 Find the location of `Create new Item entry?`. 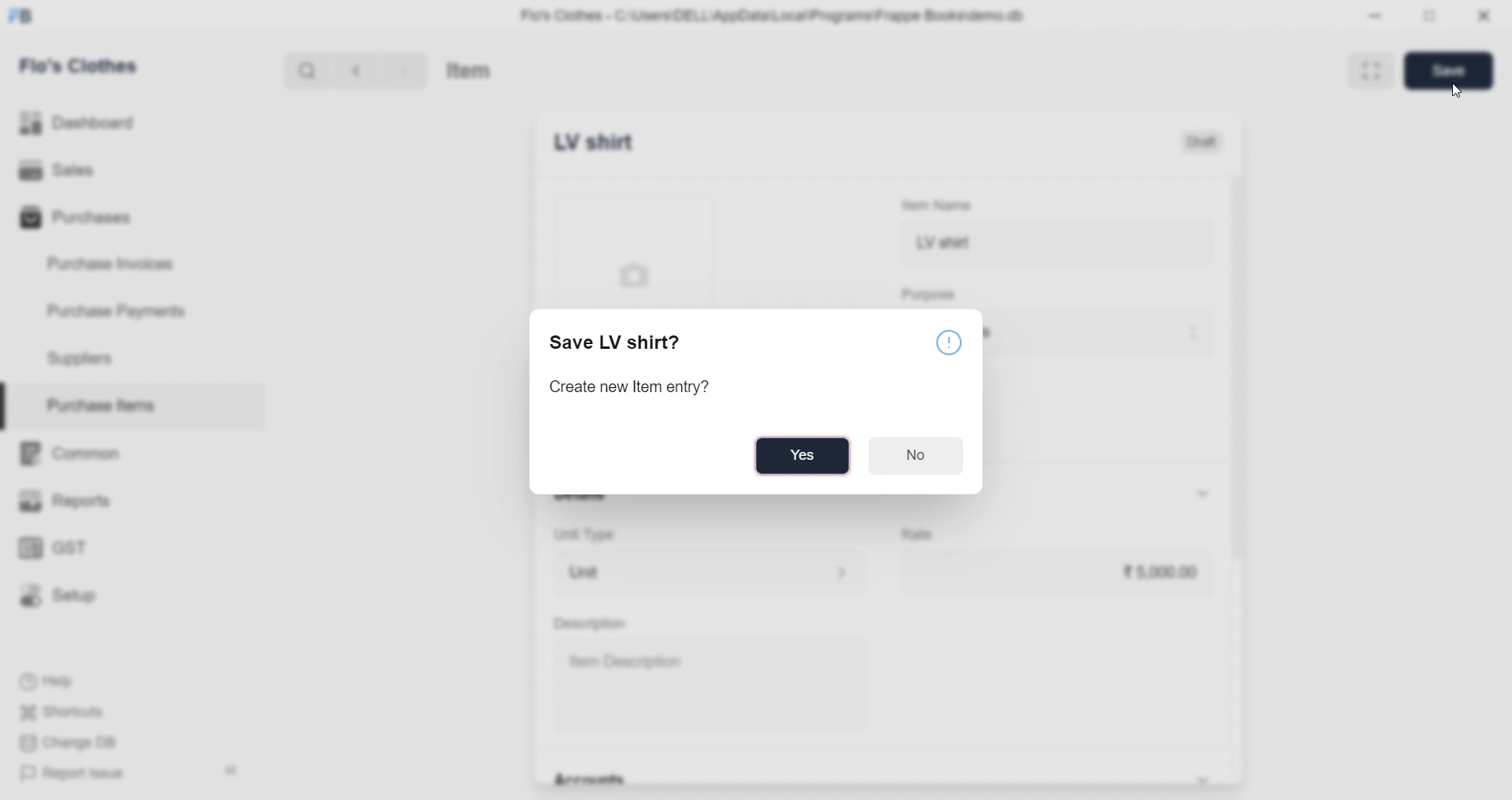

Create new Item entry? is located at coordinates (630, 388).